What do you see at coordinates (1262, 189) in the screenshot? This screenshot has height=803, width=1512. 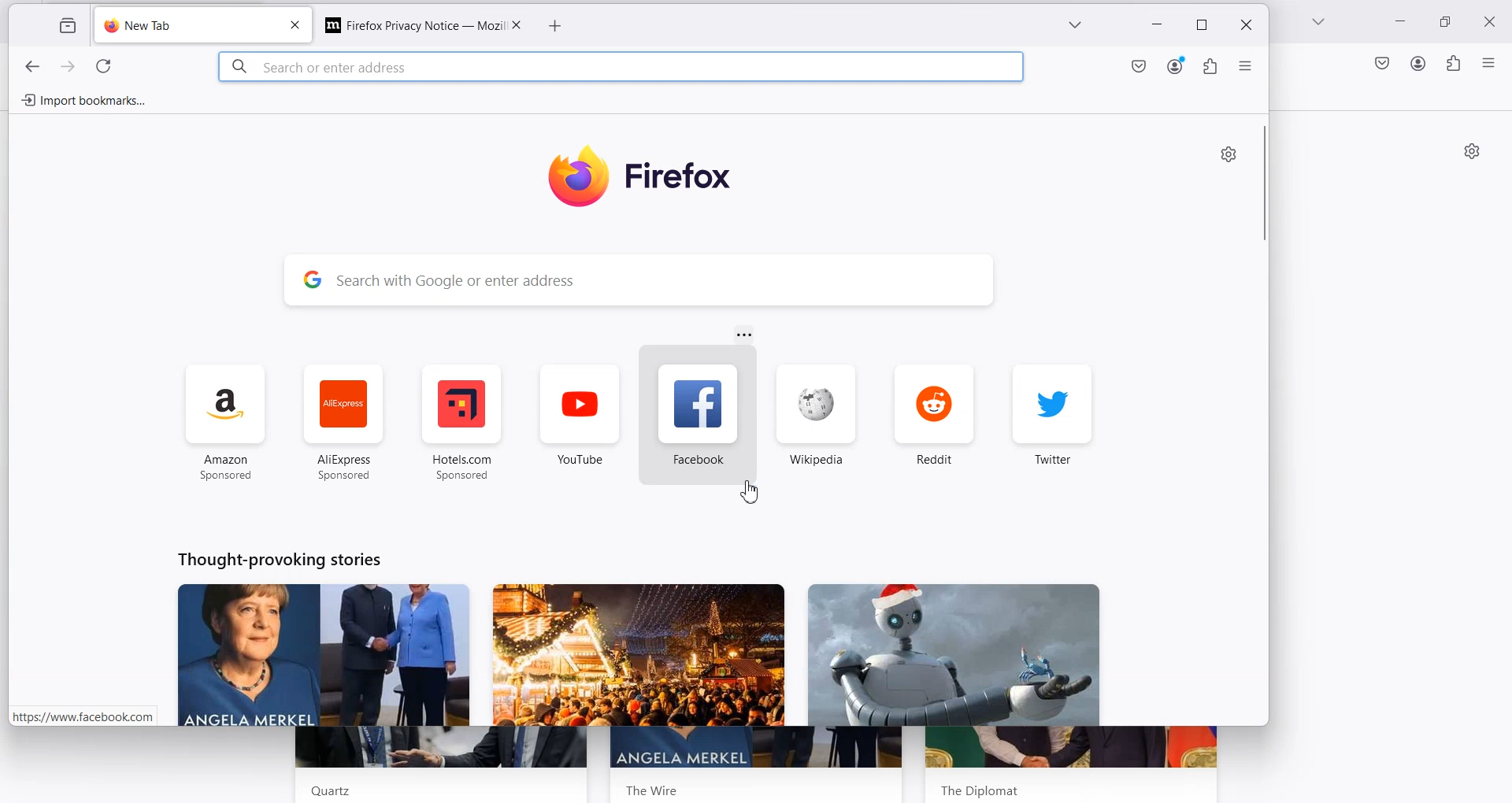 I see `Horizontal scroll bar` at bounding box center [1262, 189].